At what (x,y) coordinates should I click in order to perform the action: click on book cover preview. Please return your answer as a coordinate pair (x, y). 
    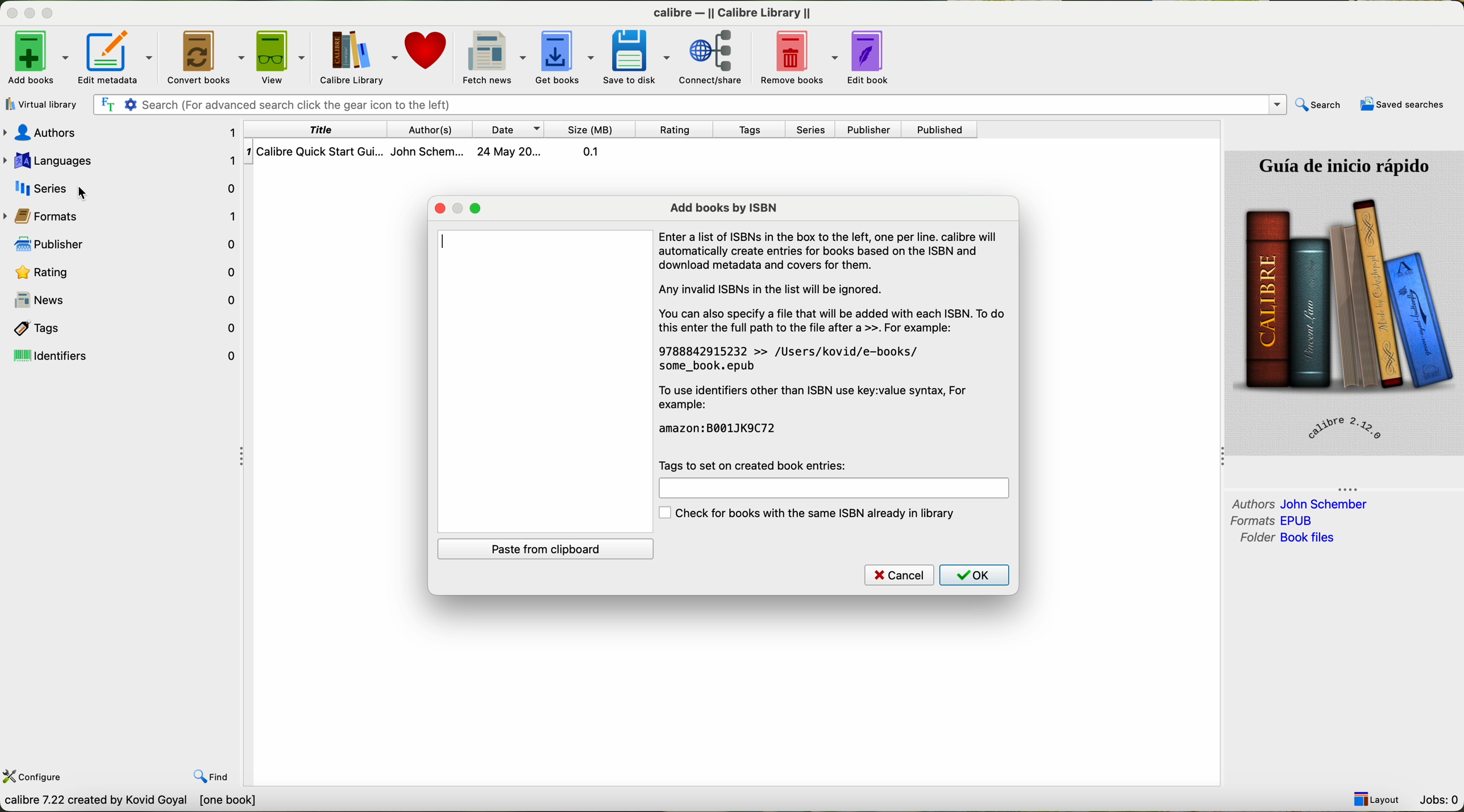
    Looking at the image, I should click on (1344, 302).